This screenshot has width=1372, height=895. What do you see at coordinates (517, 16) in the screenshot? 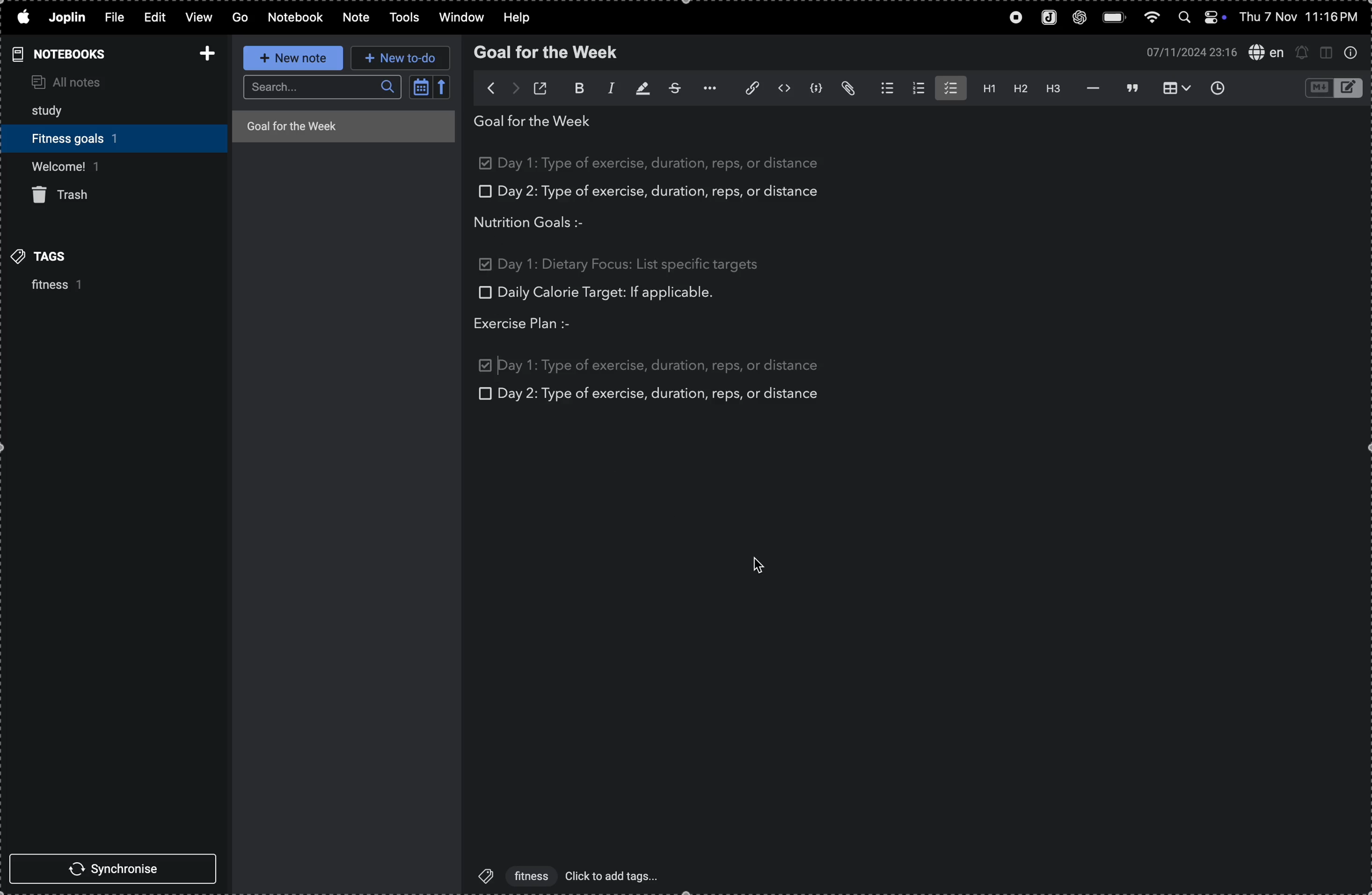
I see `help` at bounding box center [517, 16].